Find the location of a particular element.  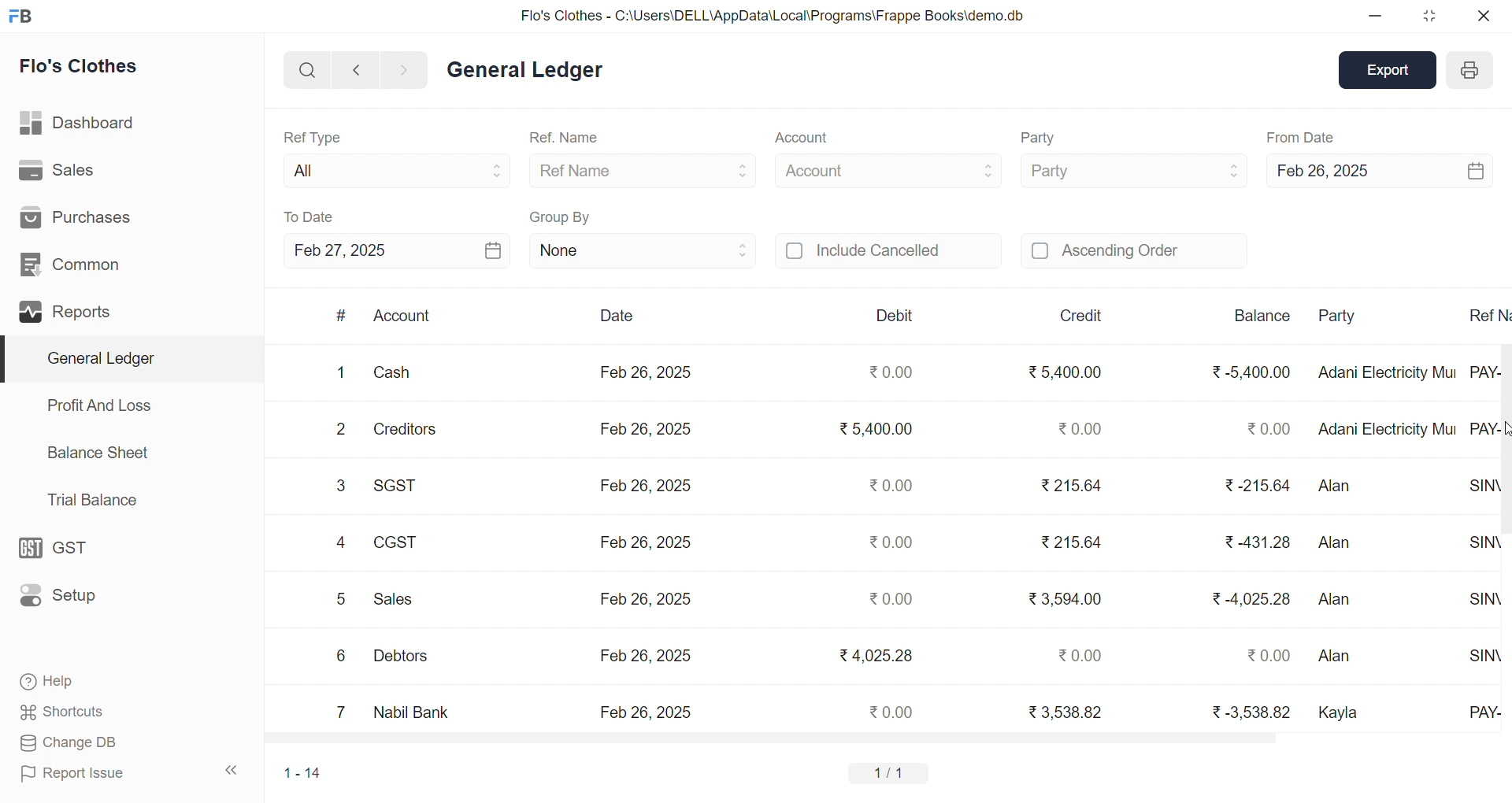

Shortcuts is located at coordinates (62, 709).